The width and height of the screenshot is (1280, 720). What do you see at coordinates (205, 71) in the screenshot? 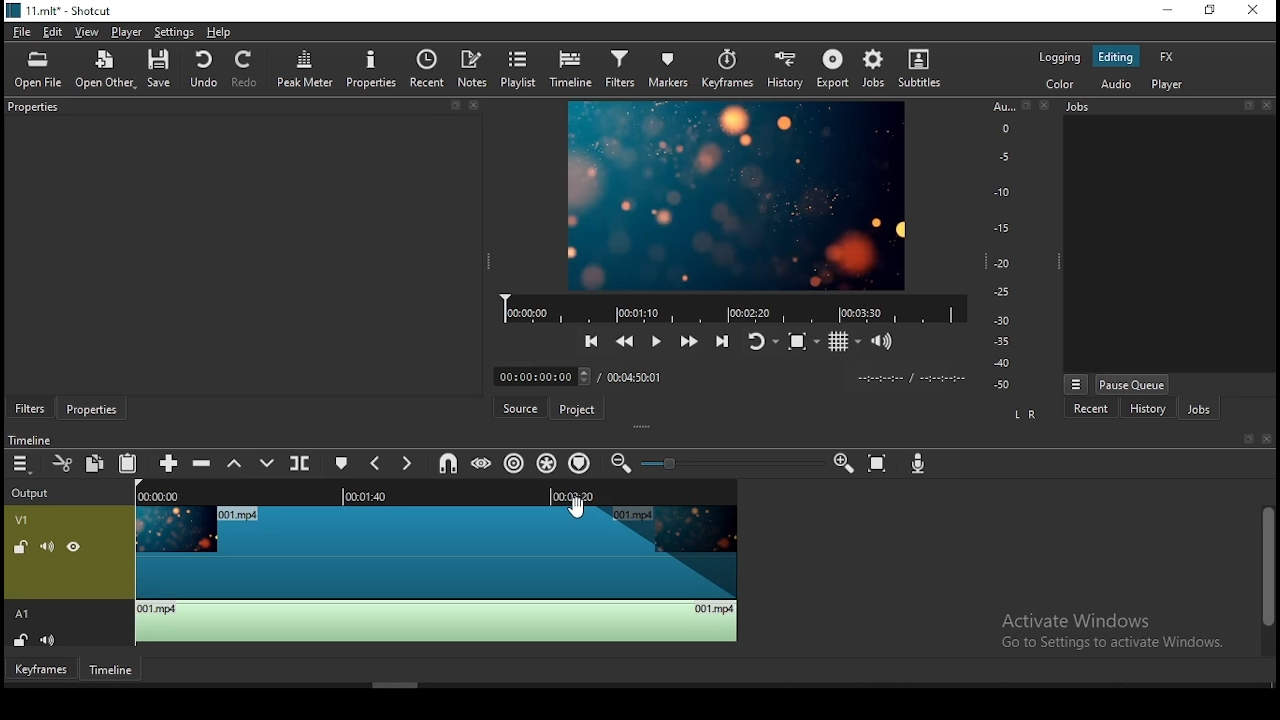
I see `undo` at bounding box center [205, 71].